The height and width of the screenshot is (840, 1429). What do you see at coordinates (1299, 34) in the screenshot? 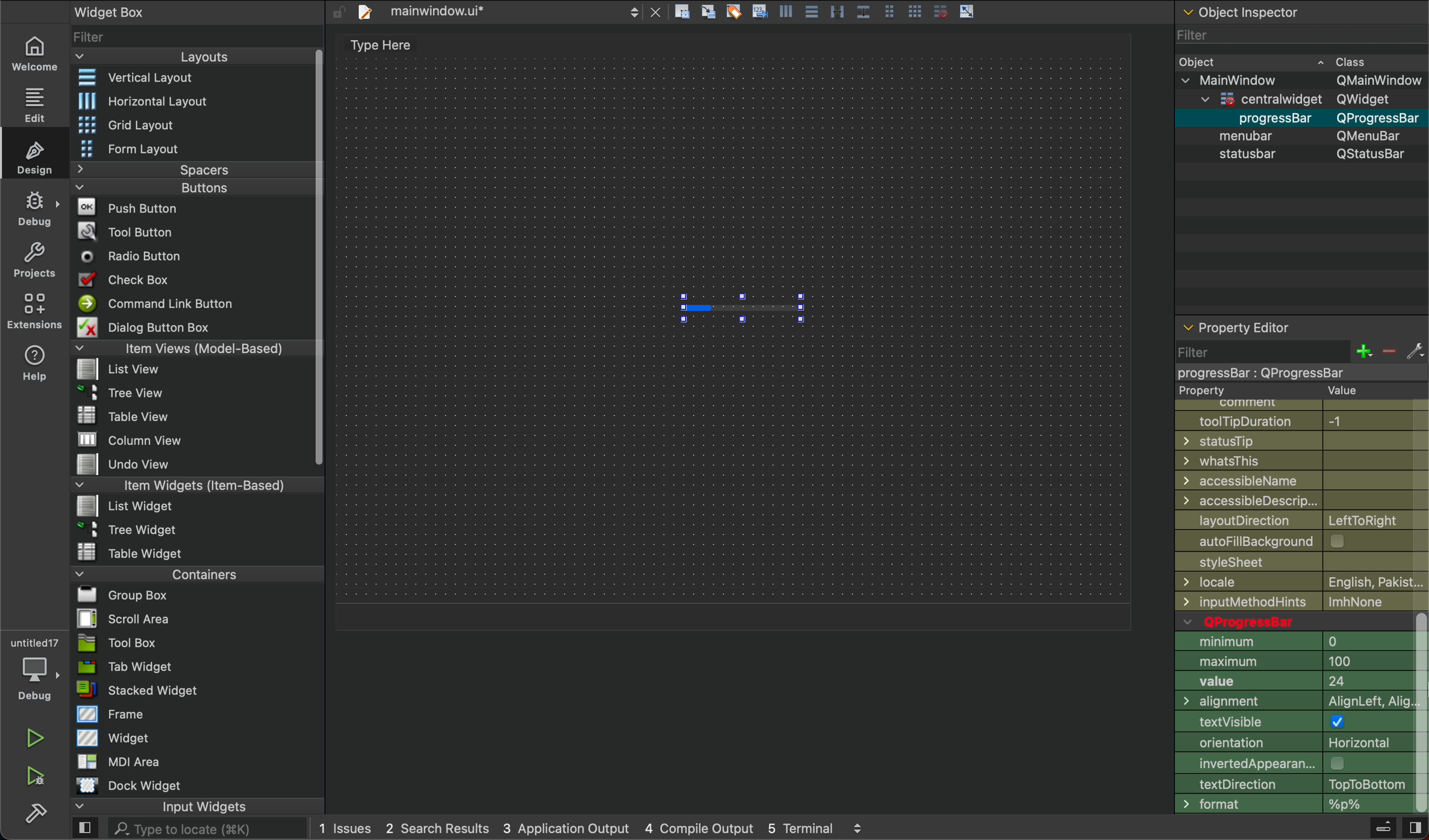
I see `Filter` at bounding box center [1299, 34].